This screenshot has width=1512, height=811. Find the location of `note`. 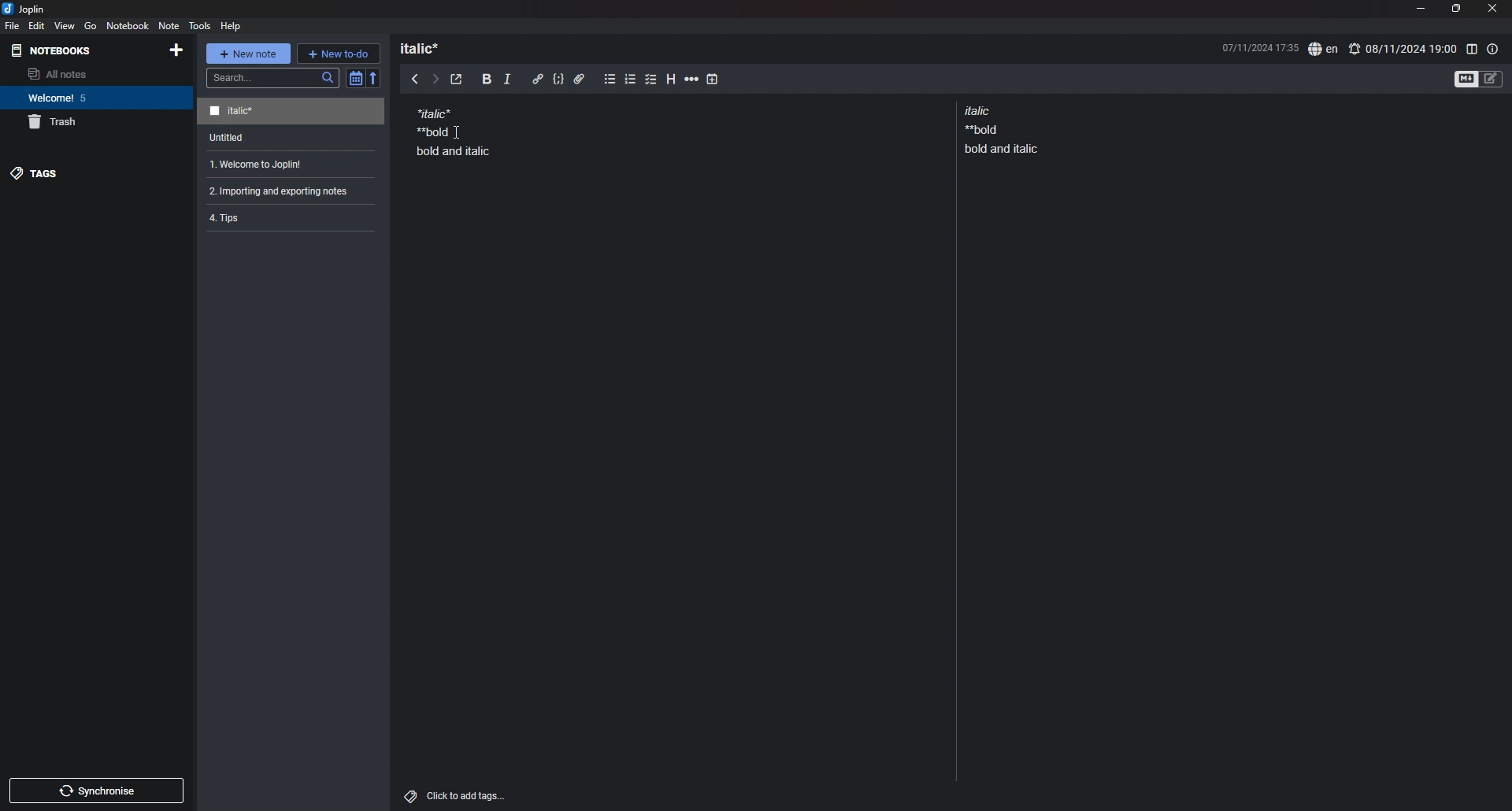

note is located at coordinates (293, 138).